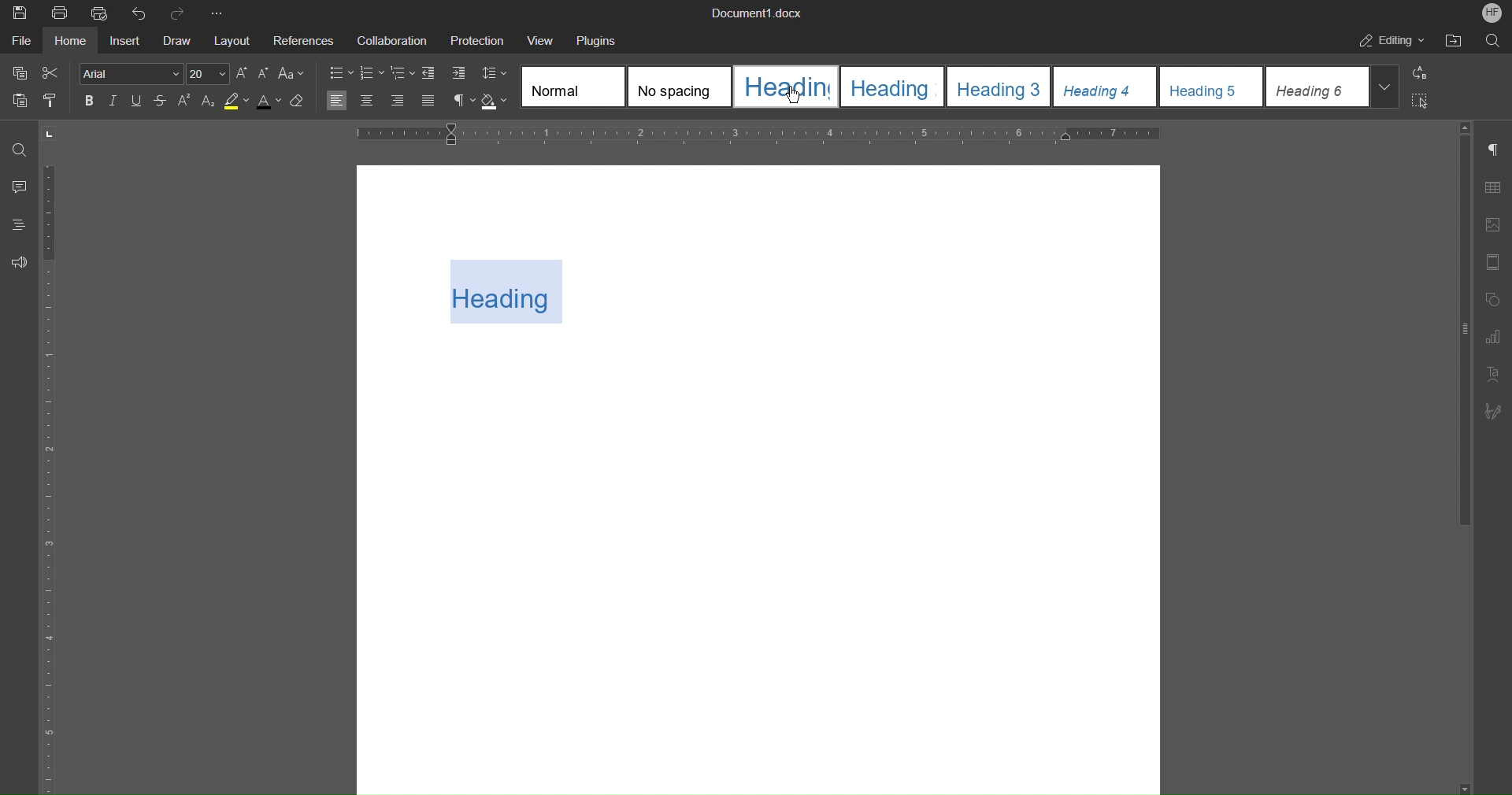 Image resolution: width=1512 pixels, height=795 pixels. What do you see at coordinates (339, 72) in the screenshot?
I see `Bullet List` at bounding box center [339, 72].